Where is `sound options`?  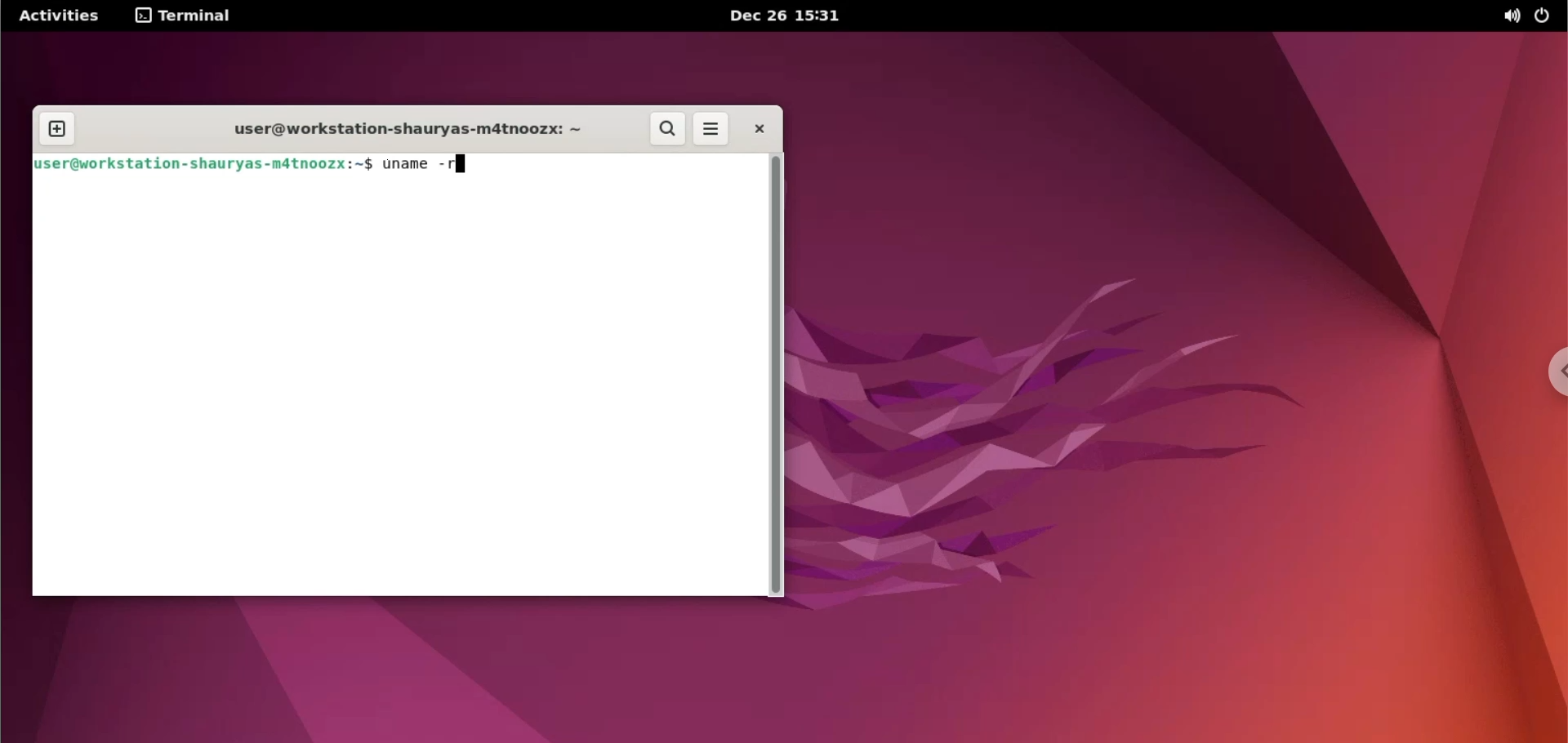 sound options is located at coordinates (1510, 17).